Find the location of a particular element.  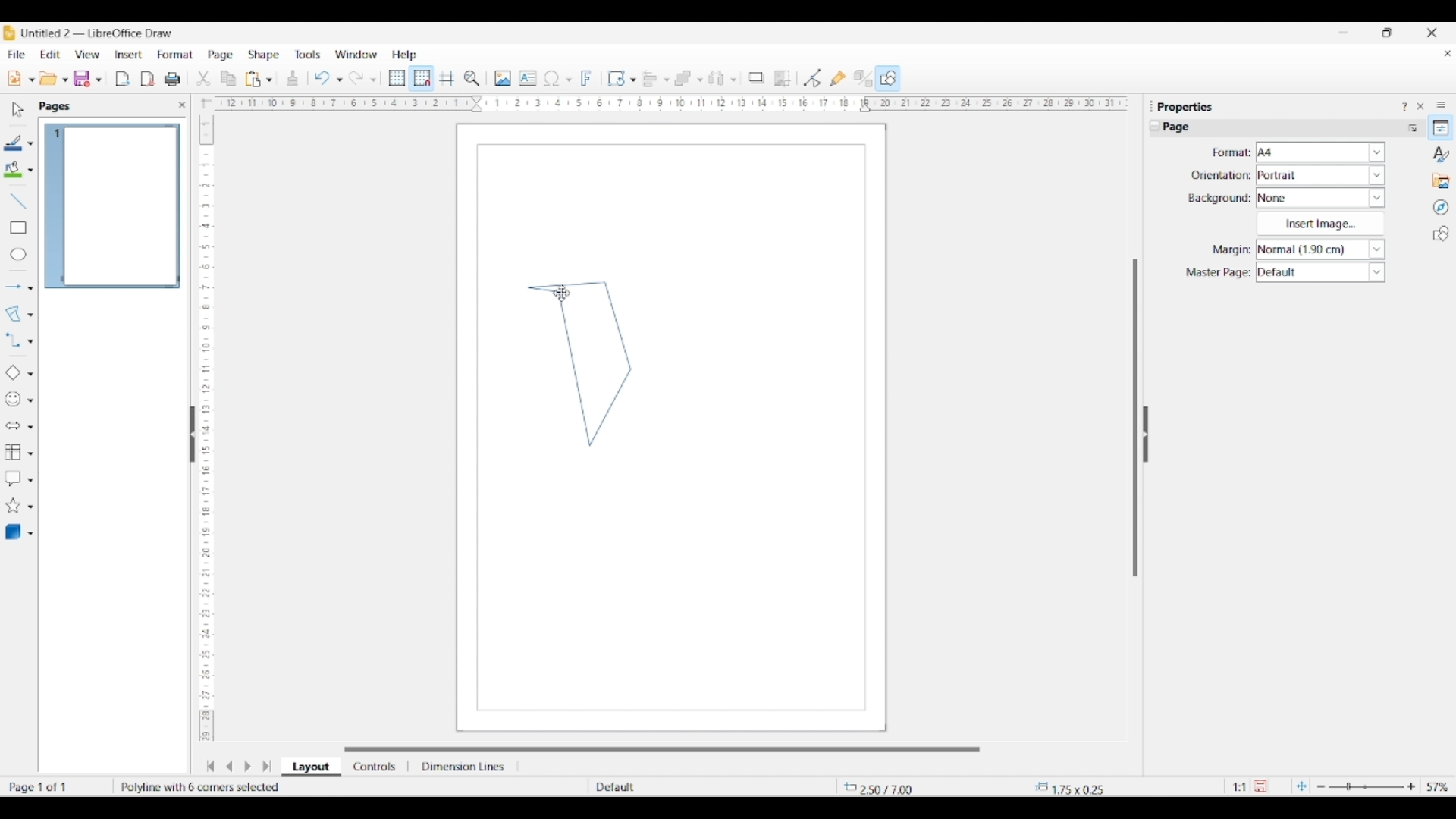

Save options is located at coordinates (99, 80).